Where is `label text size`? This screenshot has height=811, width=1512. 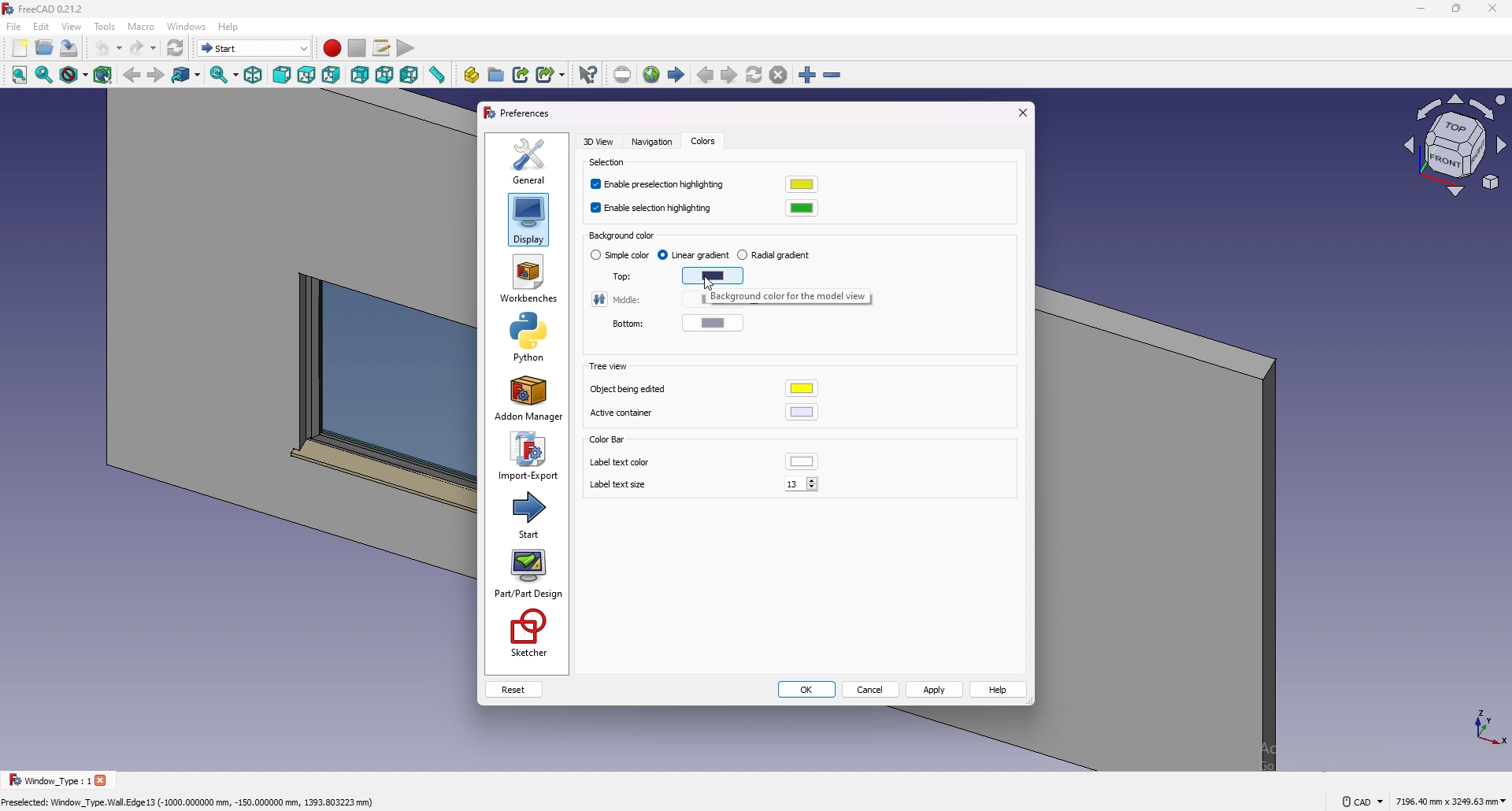
label text size is located at coordinates (621, 486).